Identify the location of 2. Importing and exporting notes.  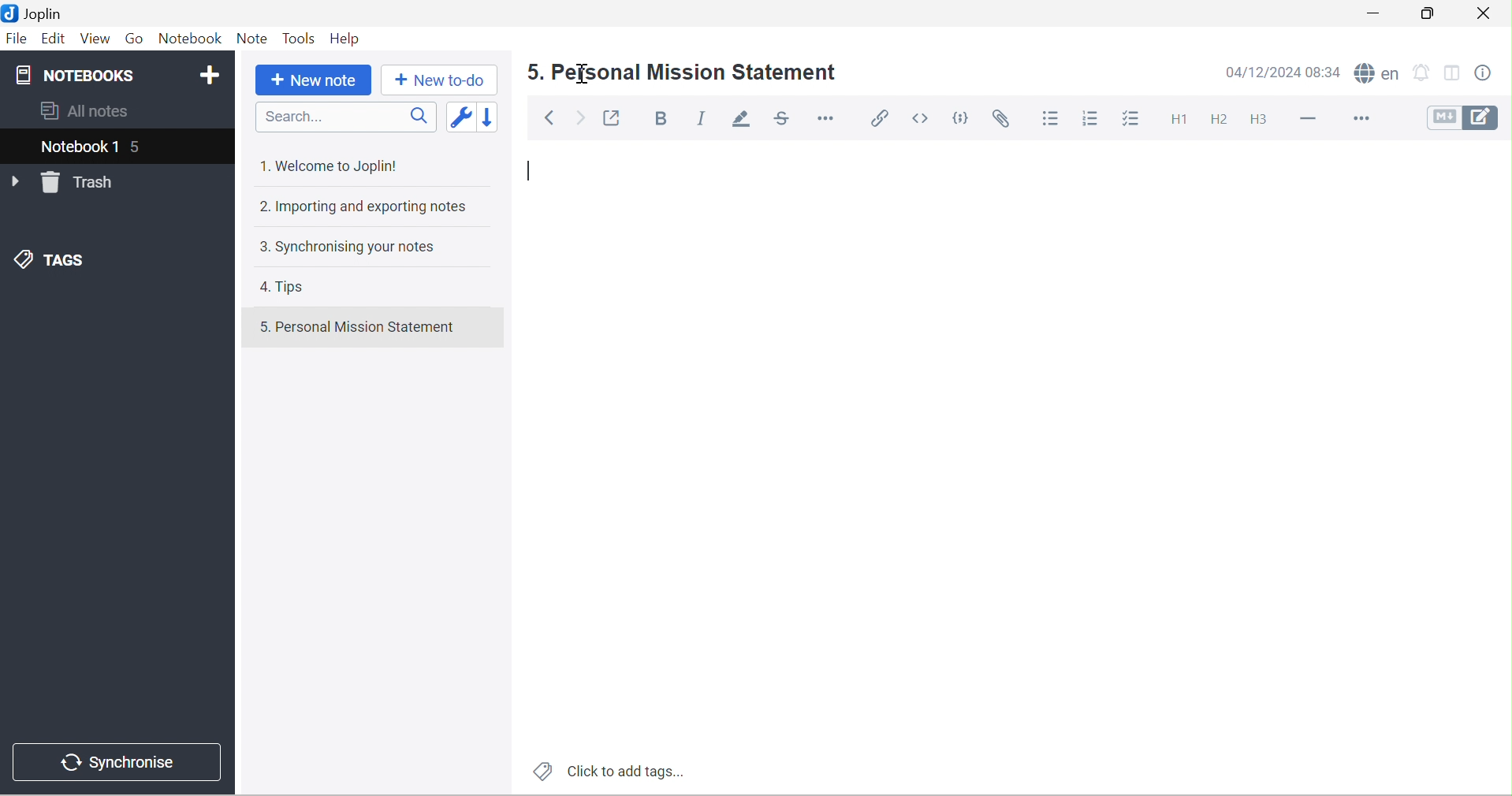
(367, 208).